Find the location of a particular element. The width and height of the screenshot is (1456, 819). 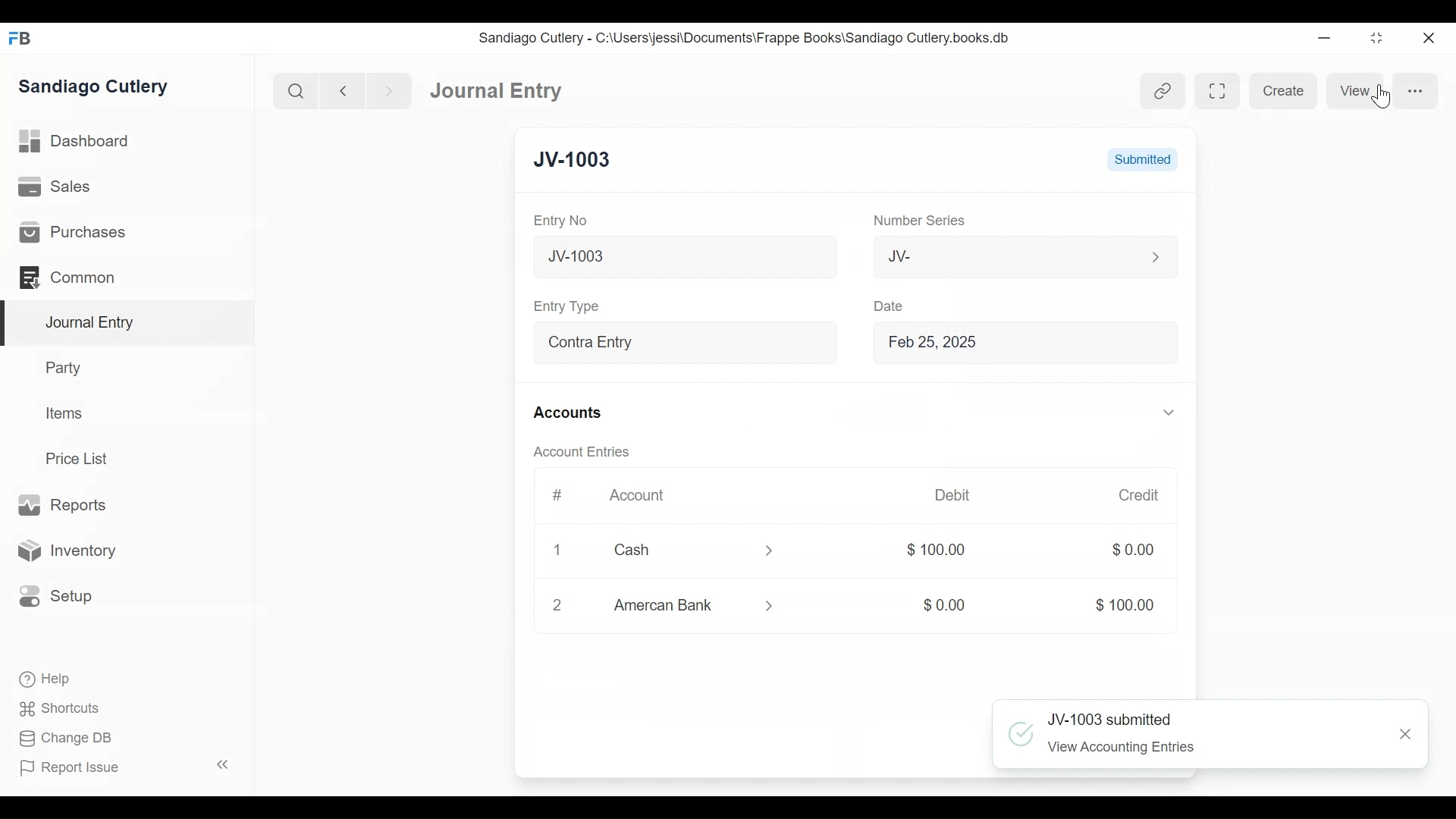

Price List is located at coordinates (80, 458).